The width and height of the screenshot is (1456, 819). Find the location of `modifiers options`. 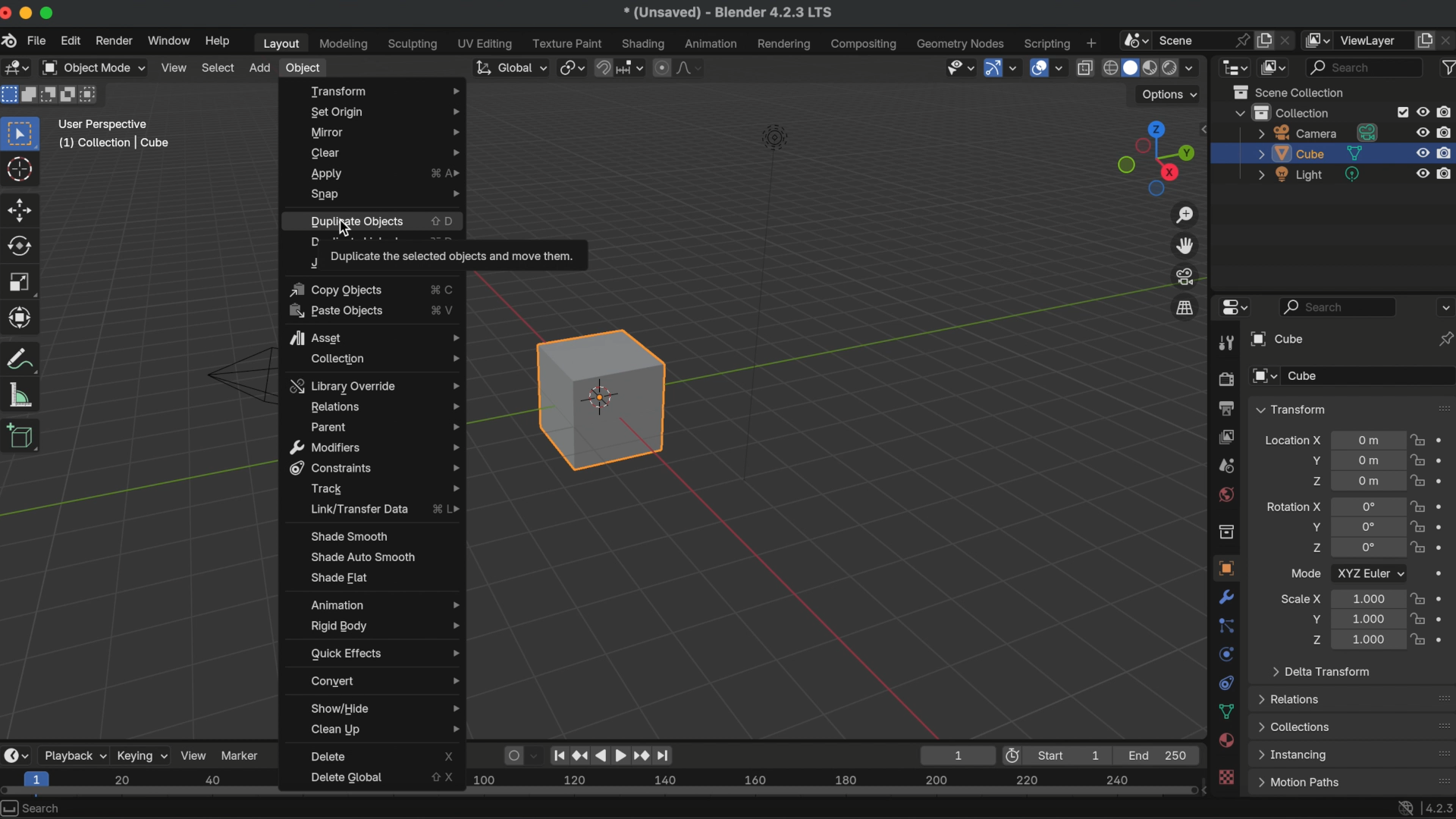

modifiers options is located at coordinates (374, 448).